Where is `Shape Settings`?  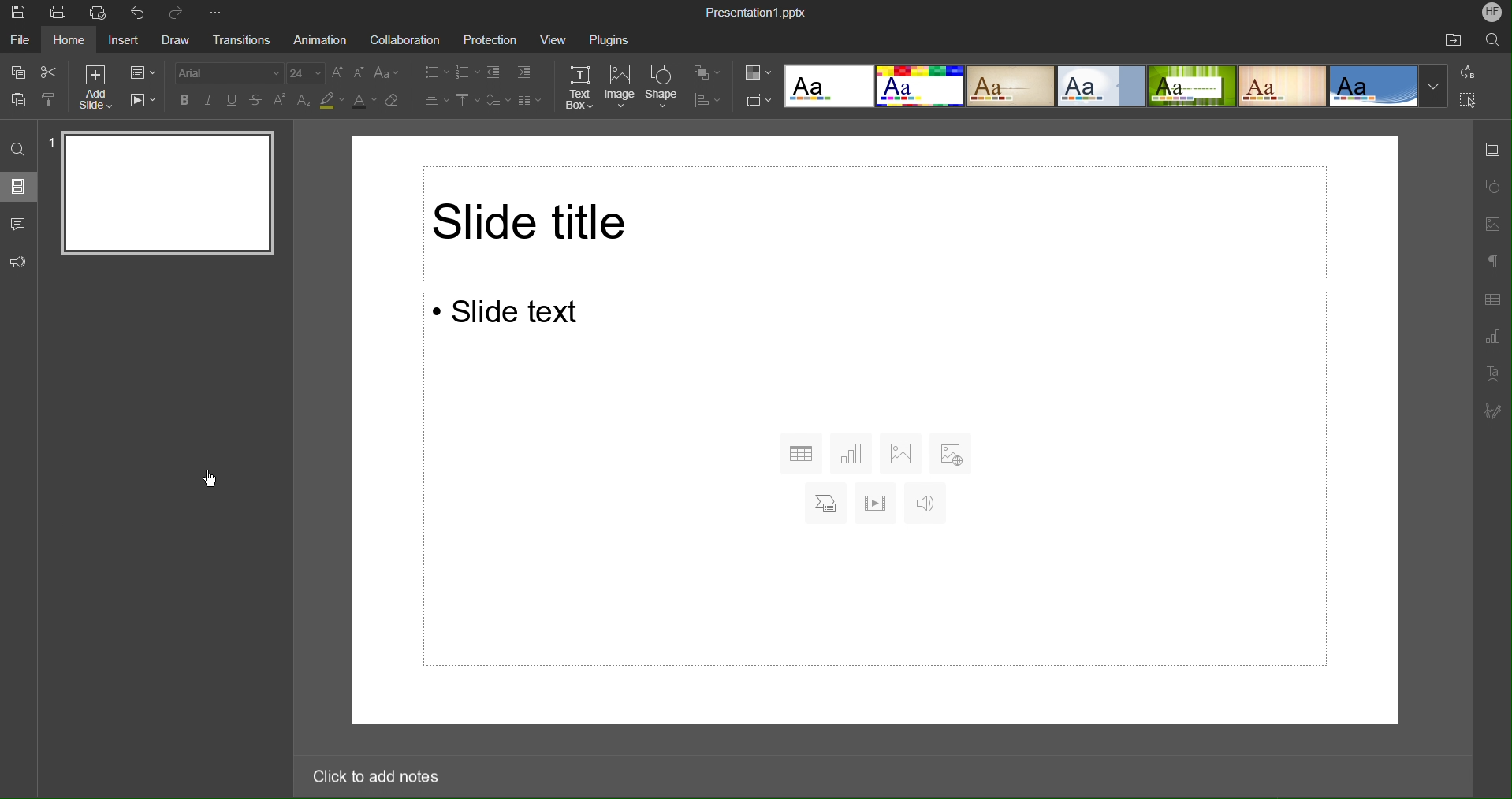
Shape Settings is located at coordinates (1493, 186).